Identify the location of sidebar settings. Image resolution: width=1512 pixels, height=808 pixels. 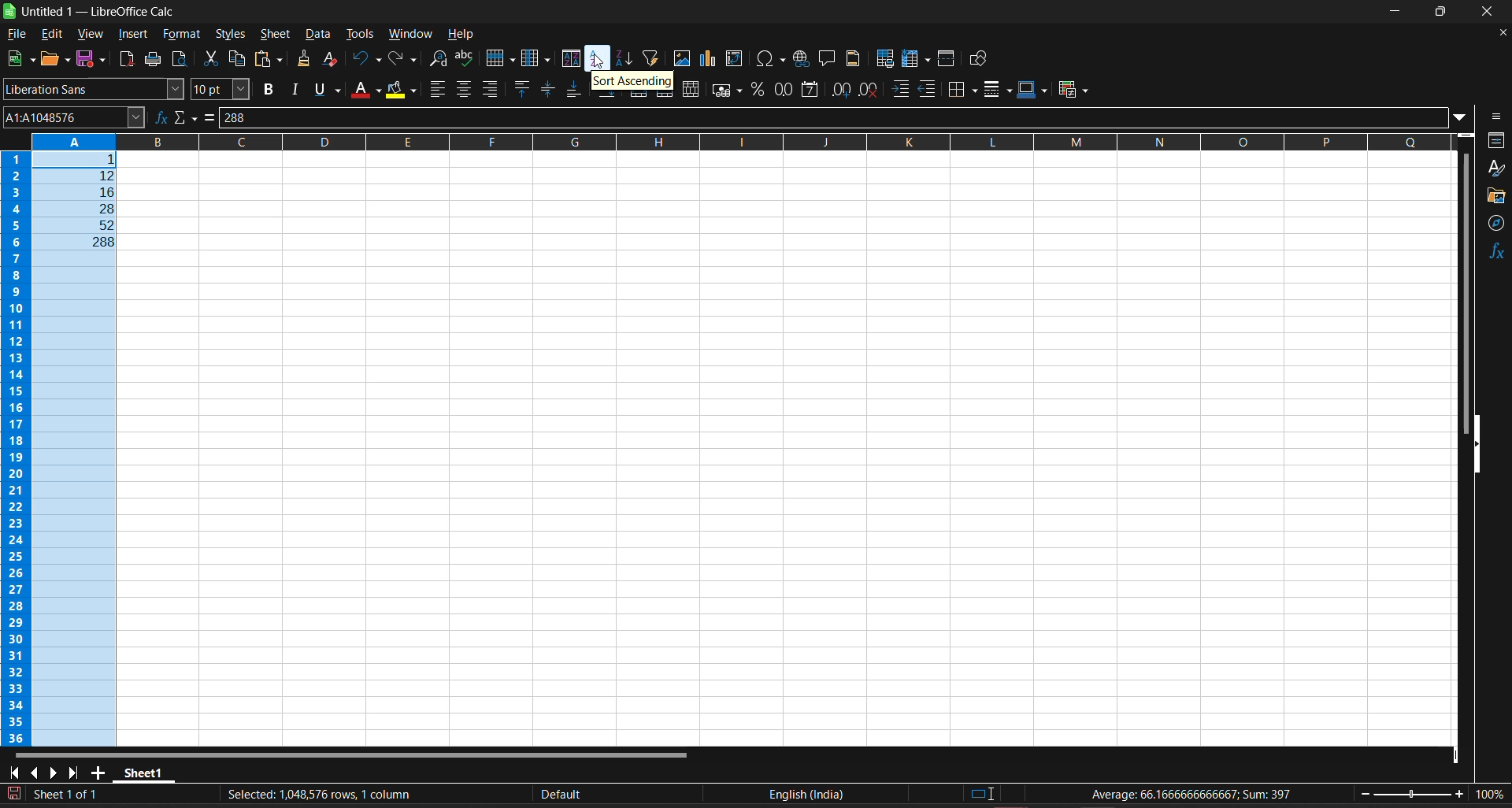
(1497, 116).